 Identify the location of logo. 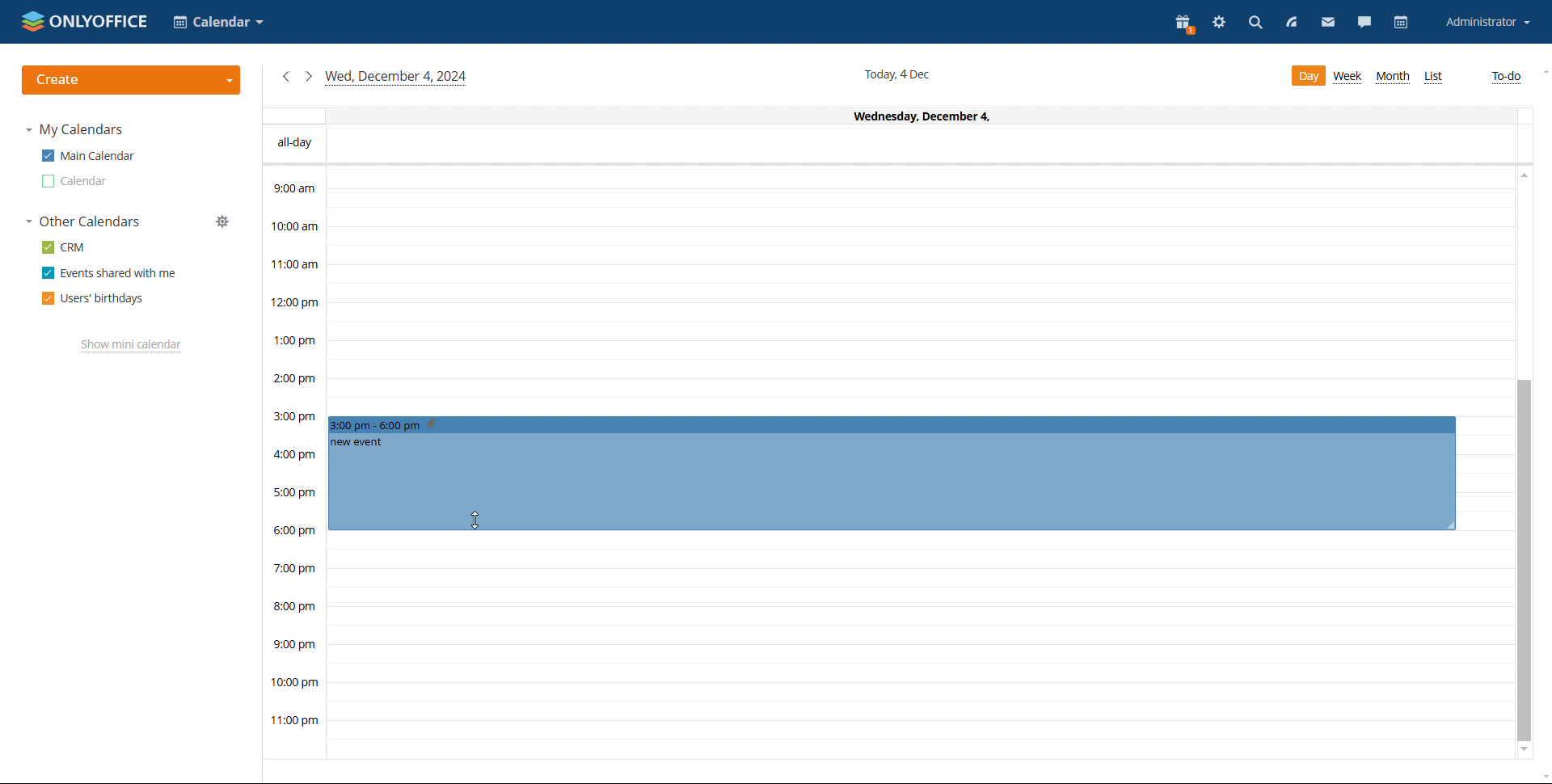
(84, 21).